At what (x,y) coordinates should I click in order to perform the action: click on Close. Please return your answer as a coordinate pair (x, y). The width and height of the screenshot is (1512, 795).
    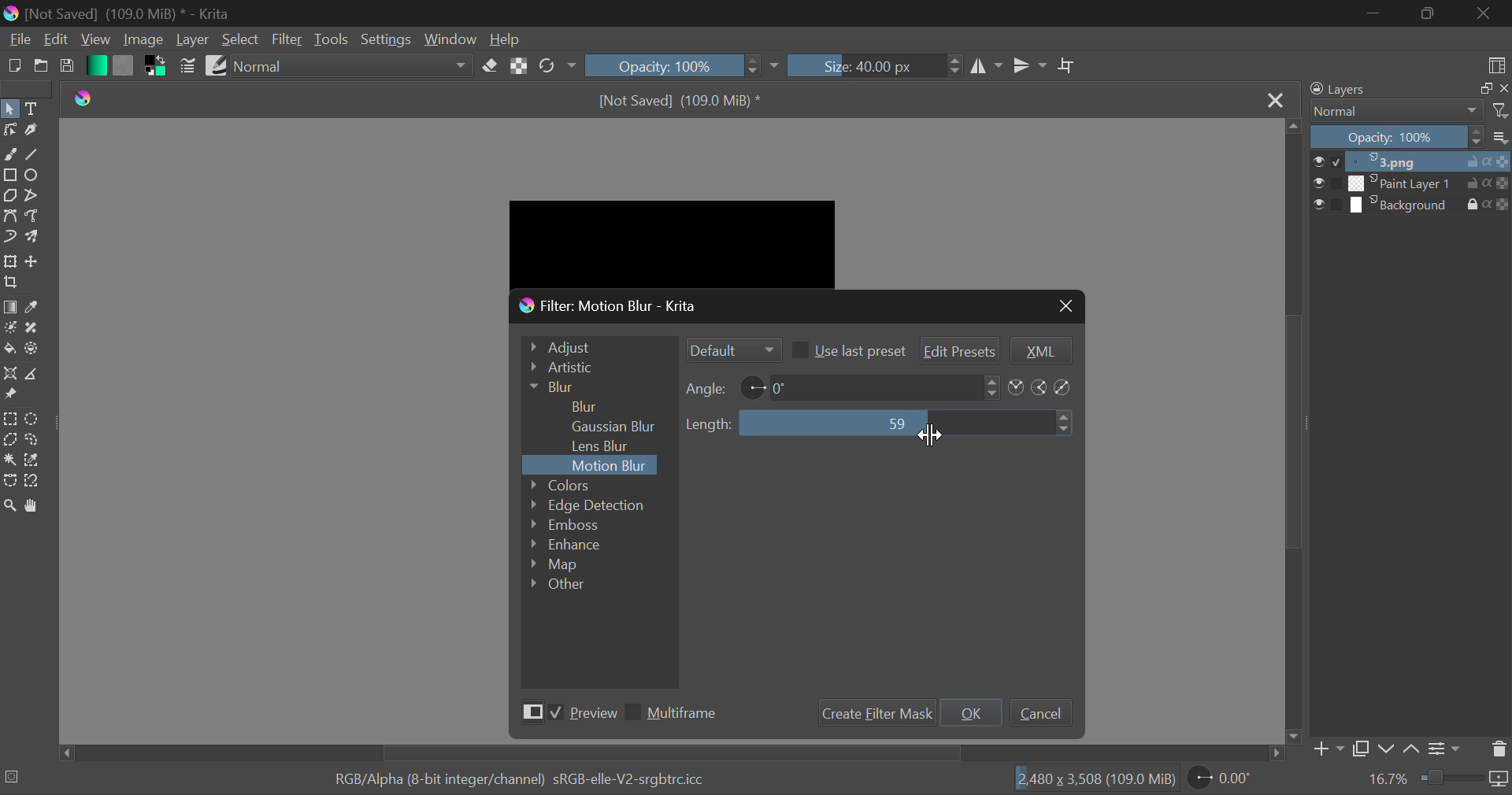
    Looking at the image, I should click on (1064, 305).